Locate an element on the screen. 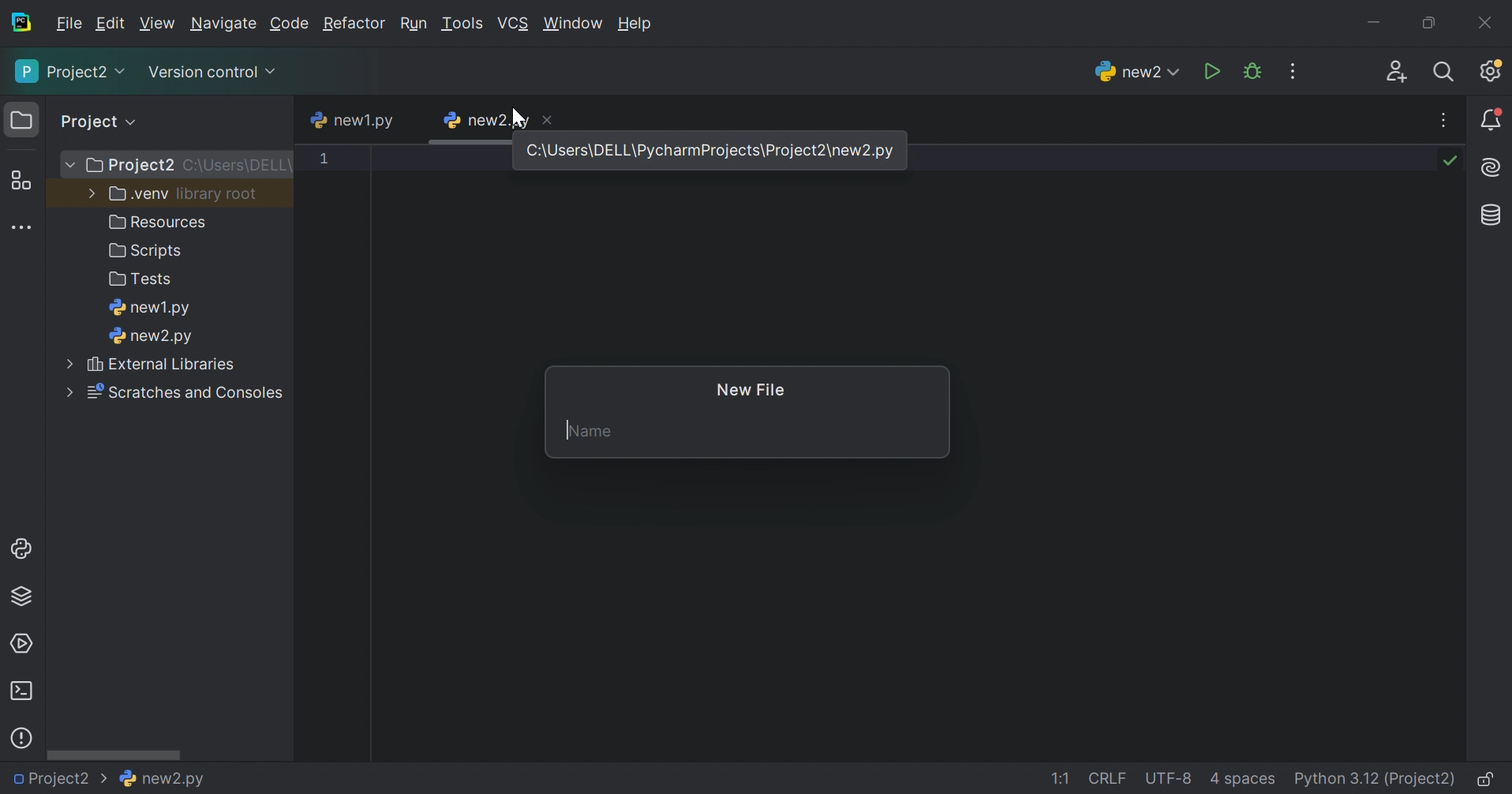 Image resolution: width=1512 pixels, height=794 pixels. File is located at coordinates (69, 24).